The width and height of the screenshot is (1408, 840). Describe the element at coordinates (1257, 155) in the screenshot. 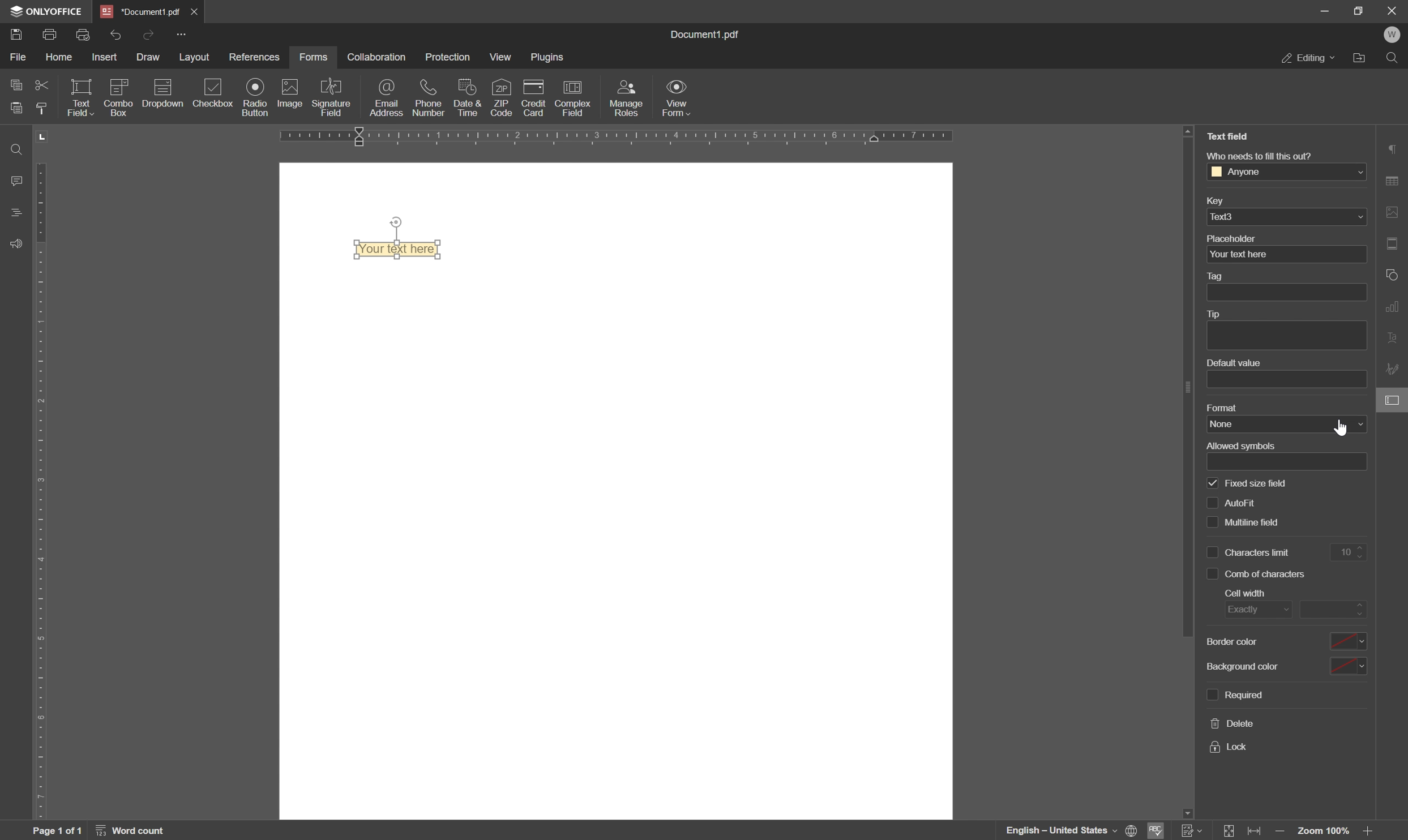

I see `who needs to fill this out?` at that location.